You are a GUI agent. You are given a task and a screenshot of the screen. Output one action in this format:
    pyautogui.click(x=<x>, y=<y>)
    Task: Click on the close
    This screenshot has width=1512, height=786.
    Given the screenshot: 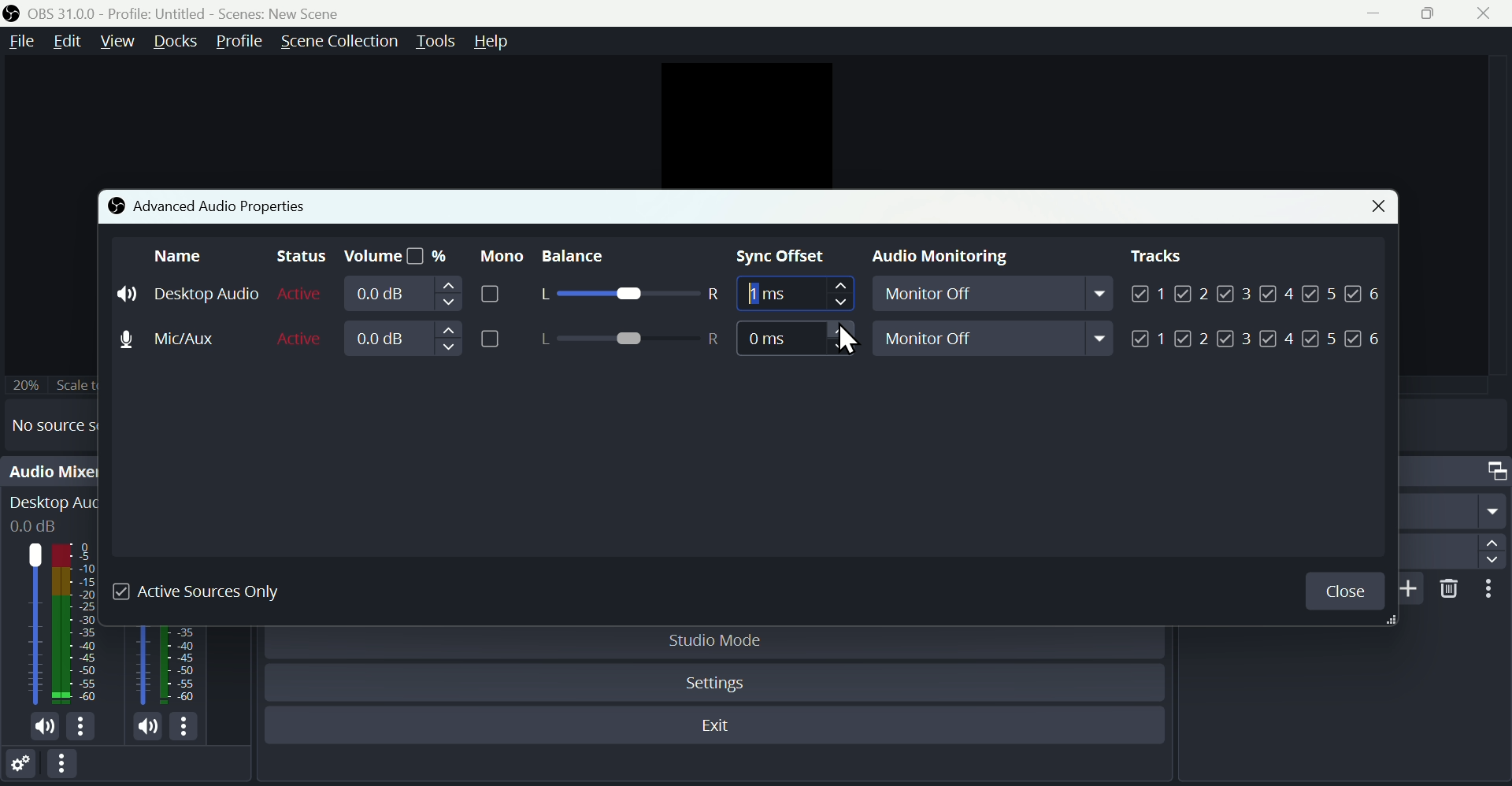 What is the action you would take?
    pyautogui.click(x=1488, y=13)
    